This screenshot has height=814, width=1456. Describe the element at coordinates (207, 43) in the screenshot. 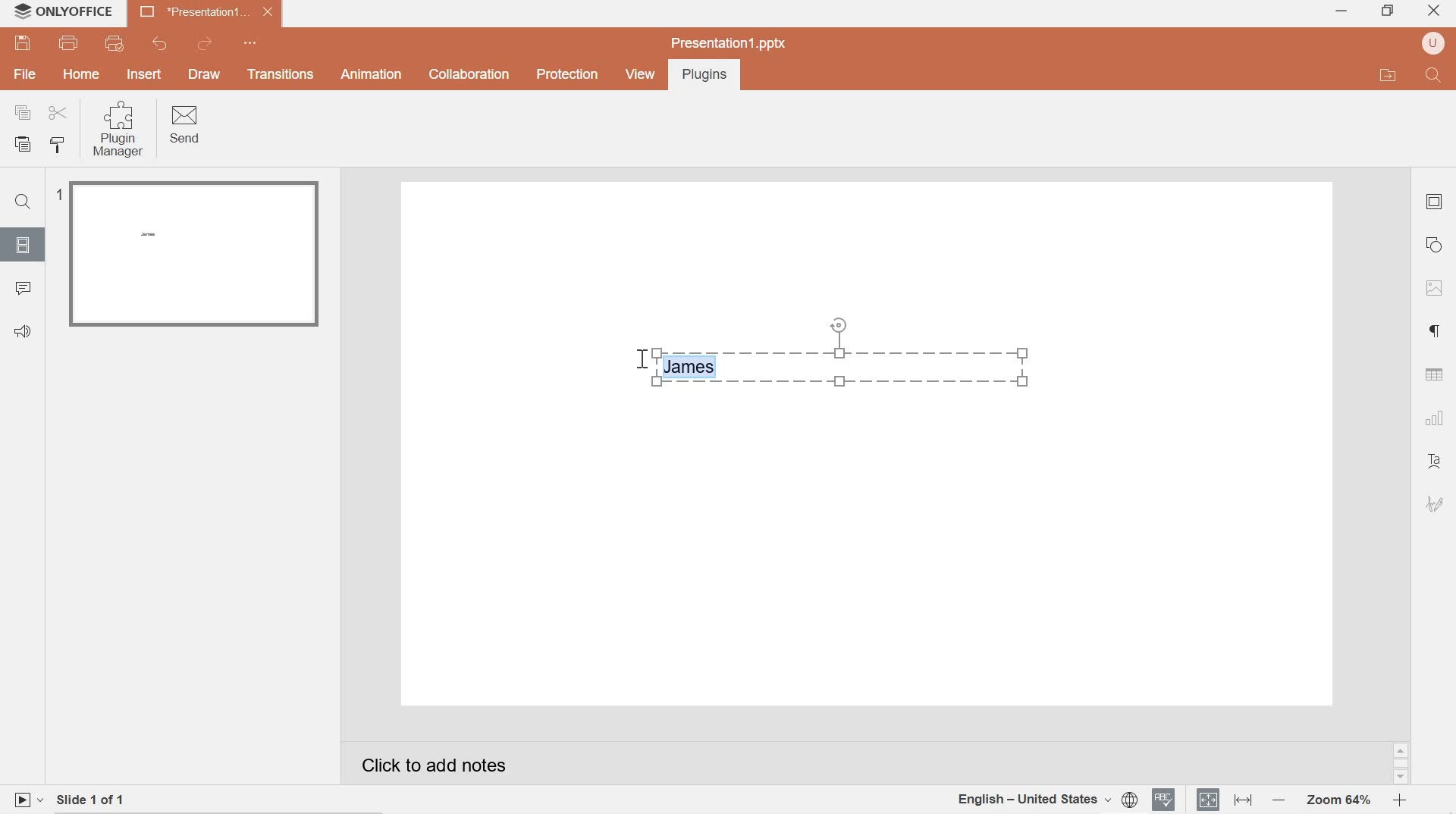

I see `redo` at that location.